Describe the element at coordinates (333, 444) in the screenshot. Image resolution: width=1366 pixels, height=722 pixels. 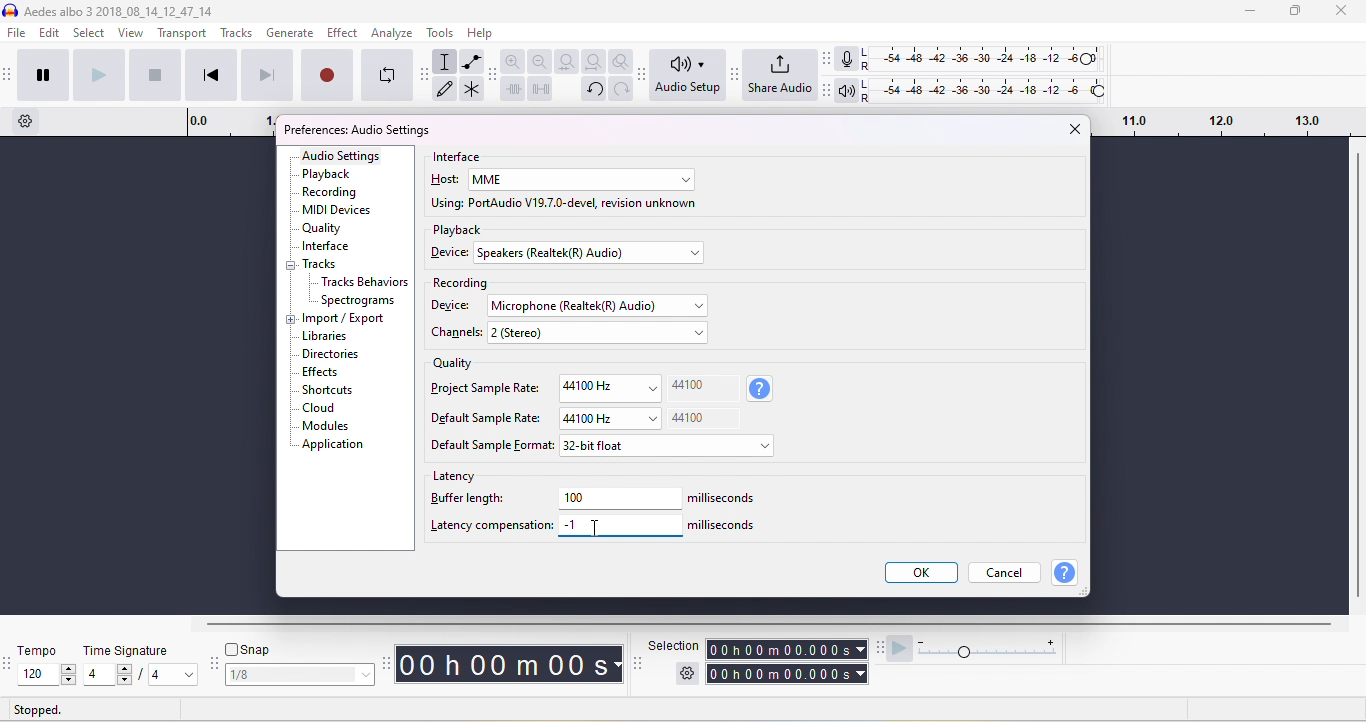
I see `application` at that location.